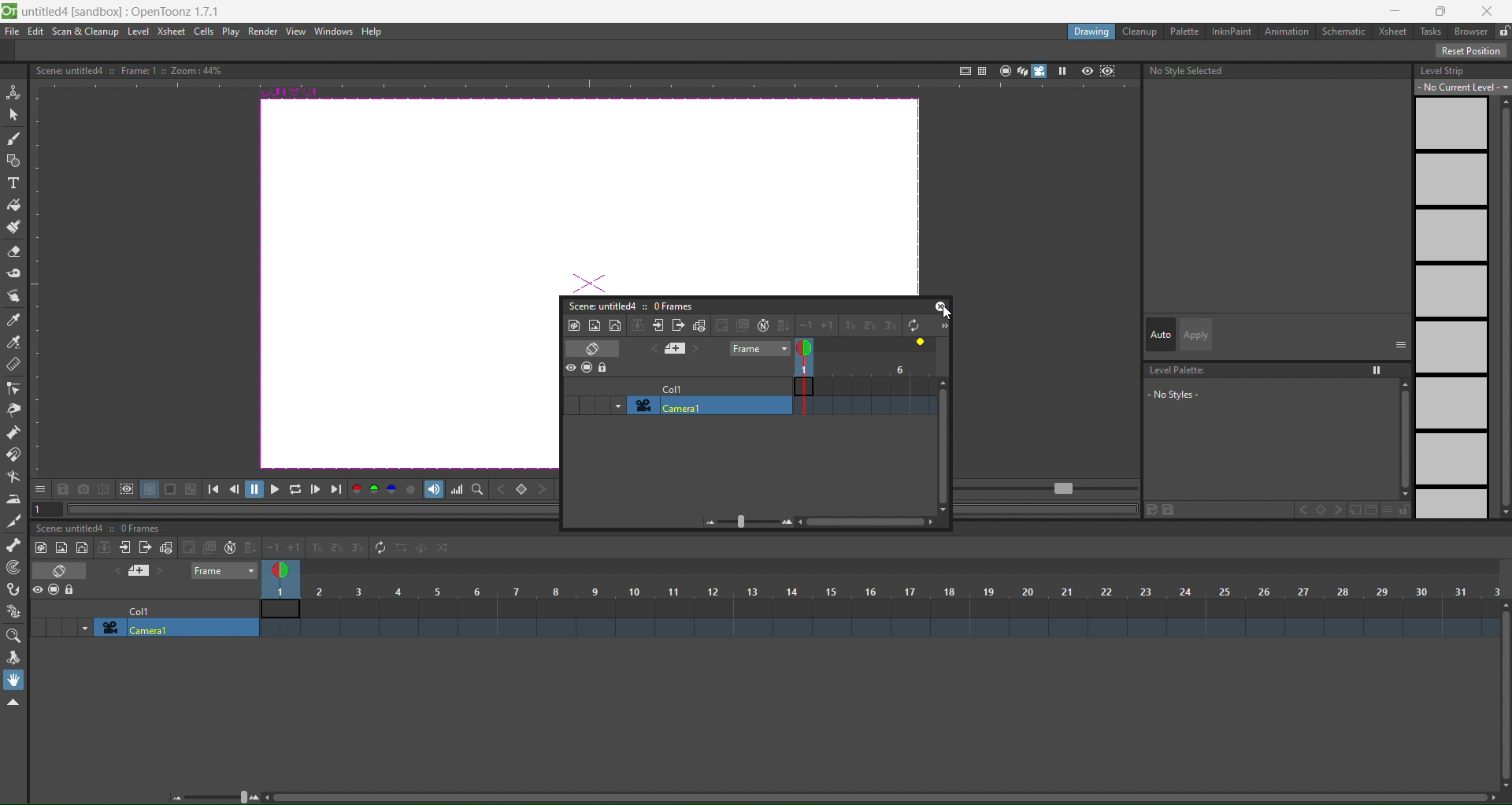 The height and width of the screenshot is (805, 1512). What do you see at coordinates (170, 31) in the screenshot?
I see `xsheet` at bounding box center [170, 31].